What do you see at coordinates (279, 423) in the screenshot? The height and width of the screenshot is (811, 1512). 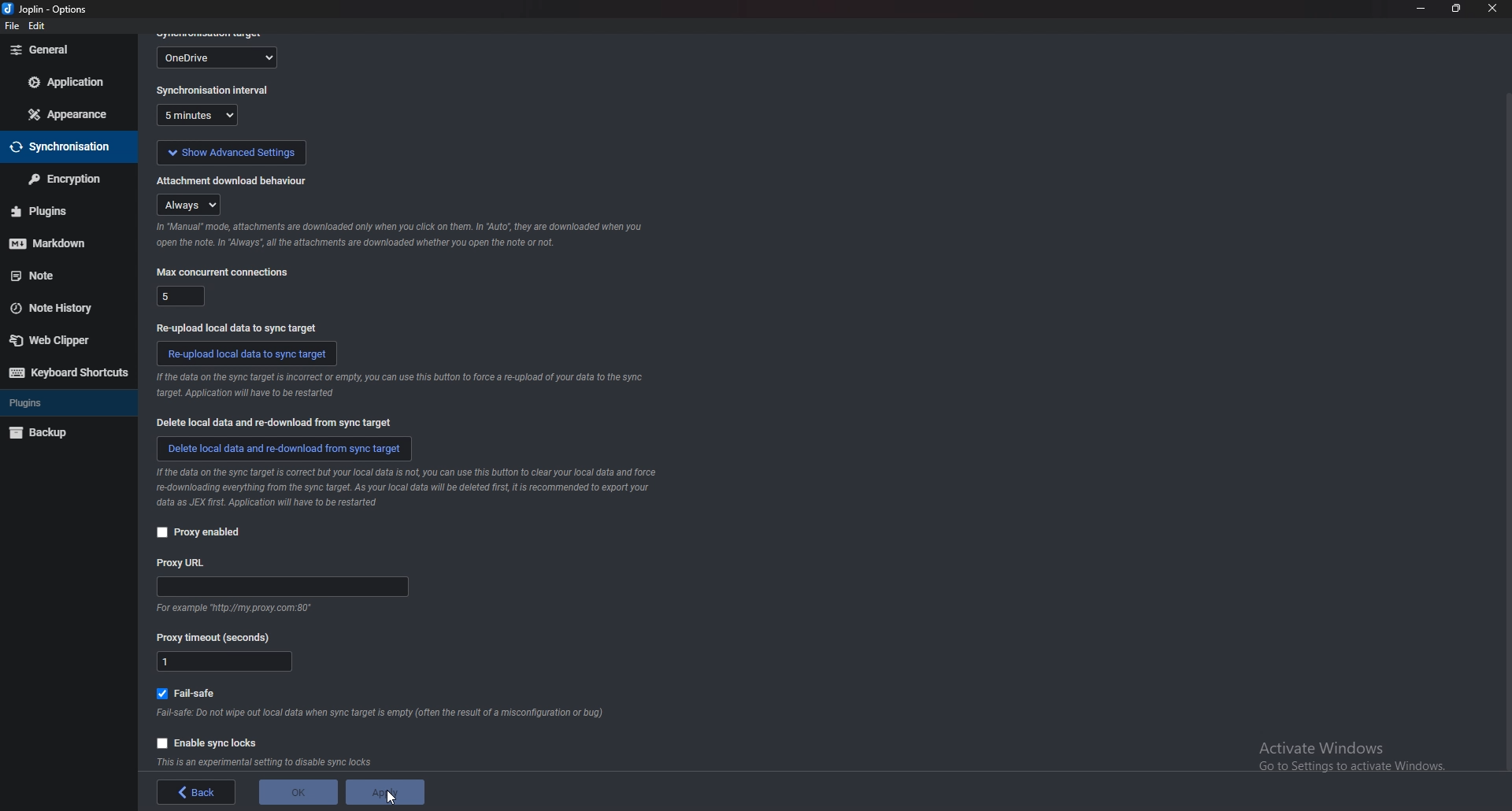 I see `delete local data` at bounding box center [279, 423].